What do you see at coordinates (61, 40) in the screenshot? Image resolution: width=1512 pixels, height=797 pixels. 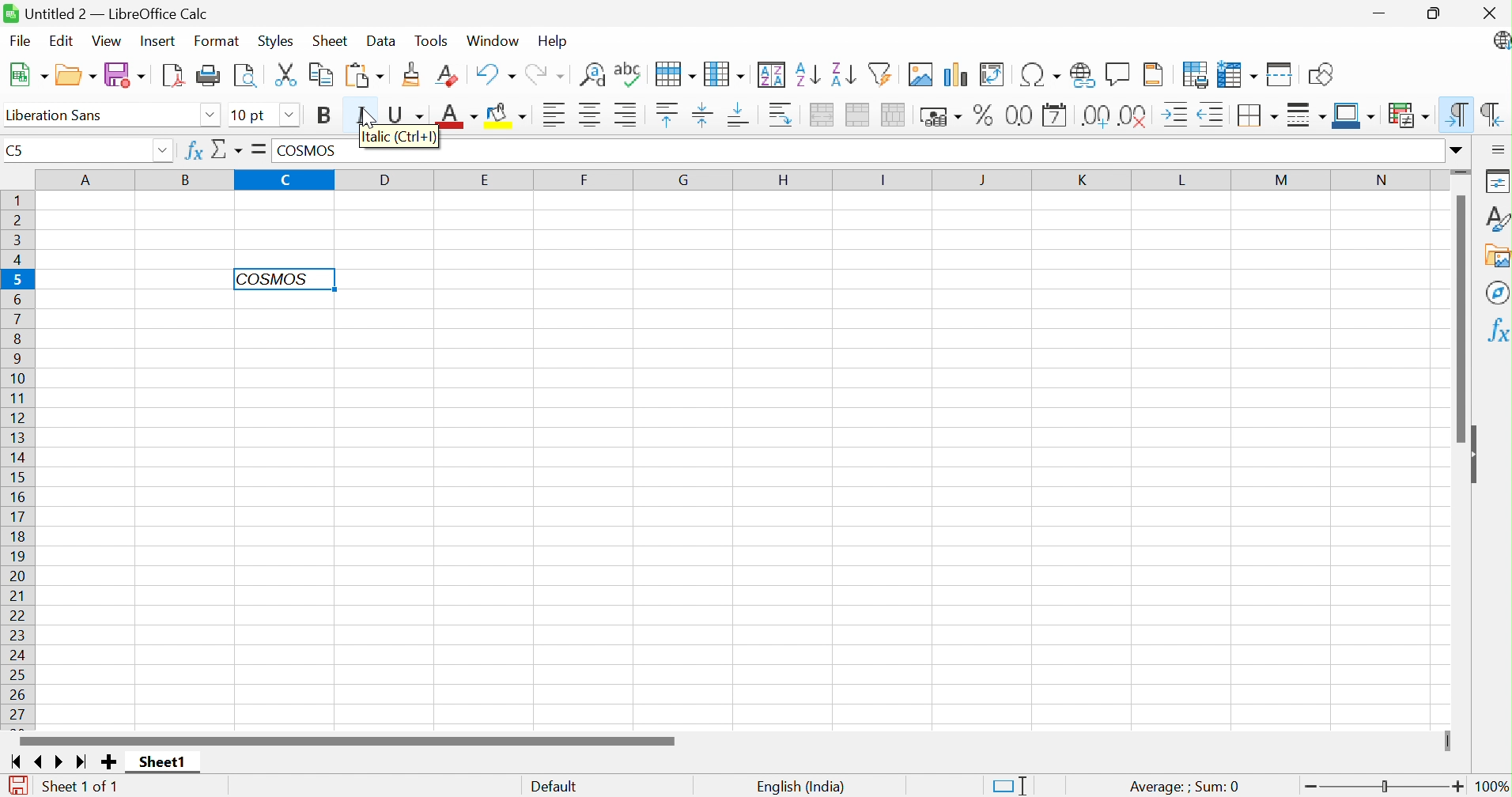 I see `Edit` at bounding box center [61, 40].